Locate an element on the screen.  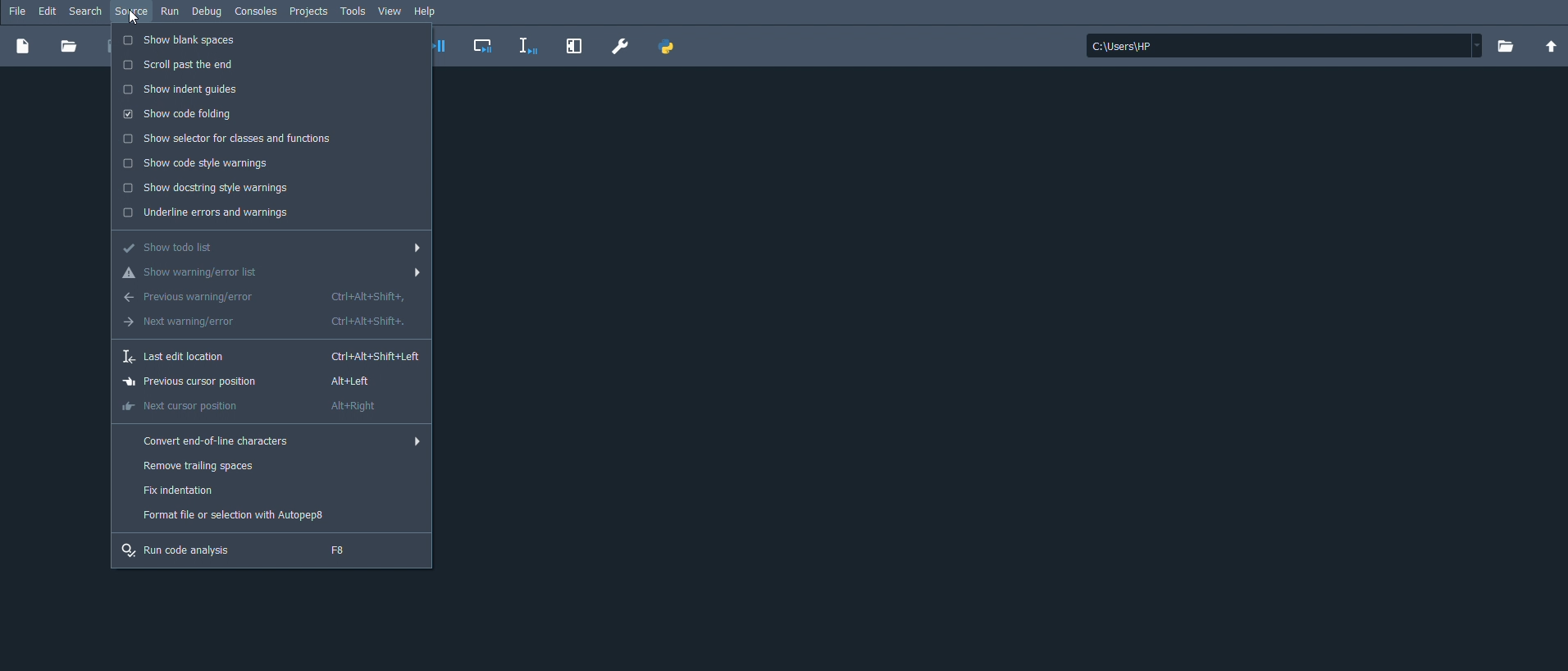
PYTHONPATH manager is located at coordinates (671, 49).